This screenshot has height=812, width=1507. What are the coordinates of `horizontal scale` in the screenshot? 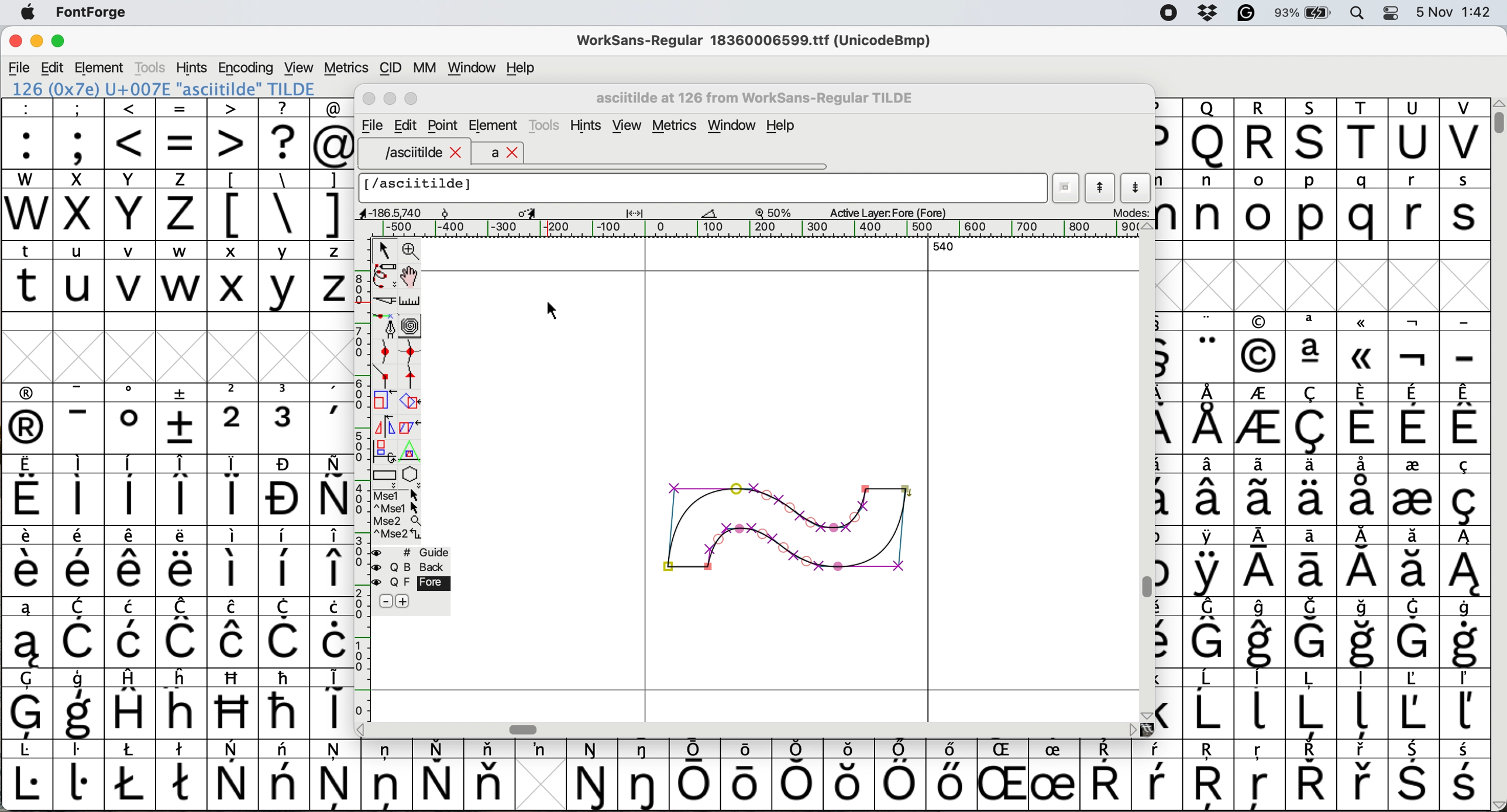 It's located at (761, 229).